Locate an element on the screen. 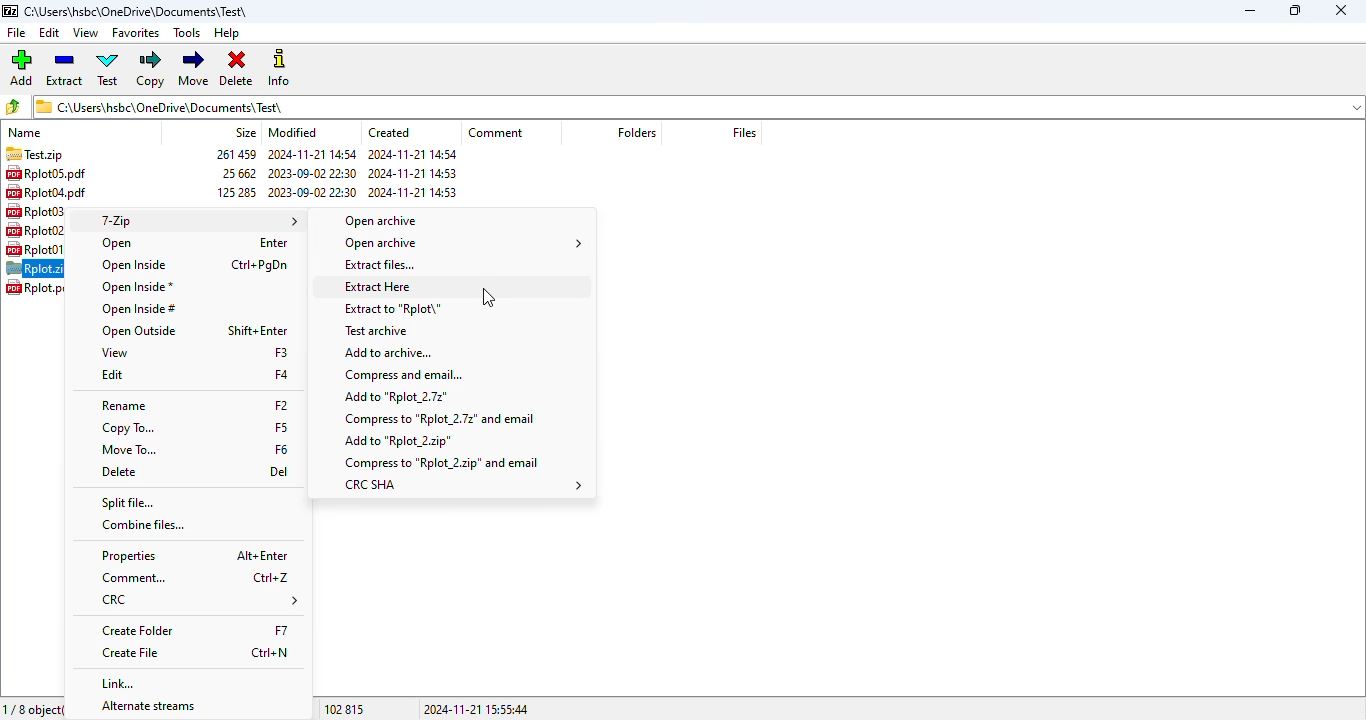 The height and width of the screenshot is (720, 1366). shortcut for create folder is located at coordinates (281, 628).